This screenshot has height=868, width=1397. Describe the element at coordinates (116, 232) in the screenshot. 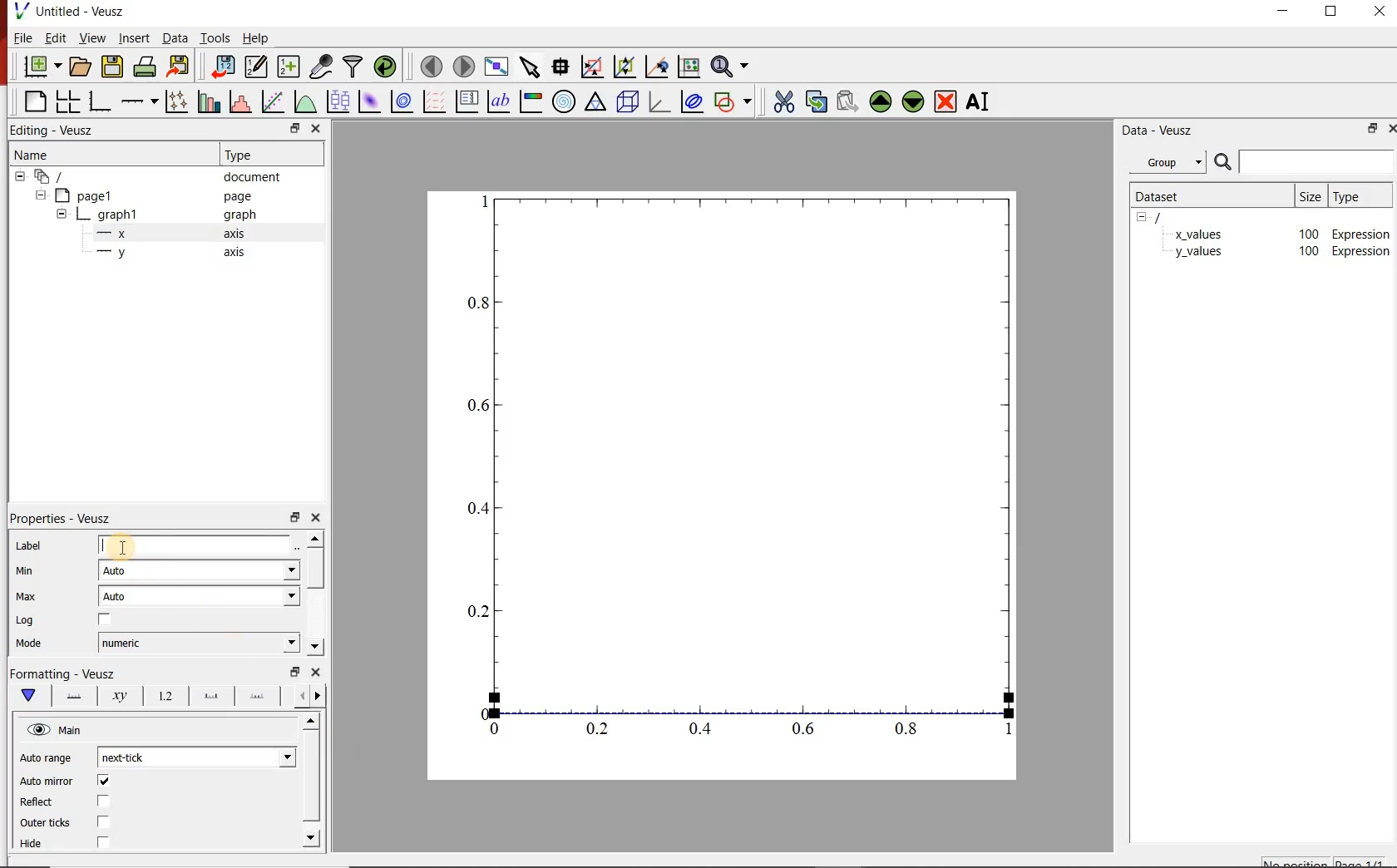

I see `—x` at that location.